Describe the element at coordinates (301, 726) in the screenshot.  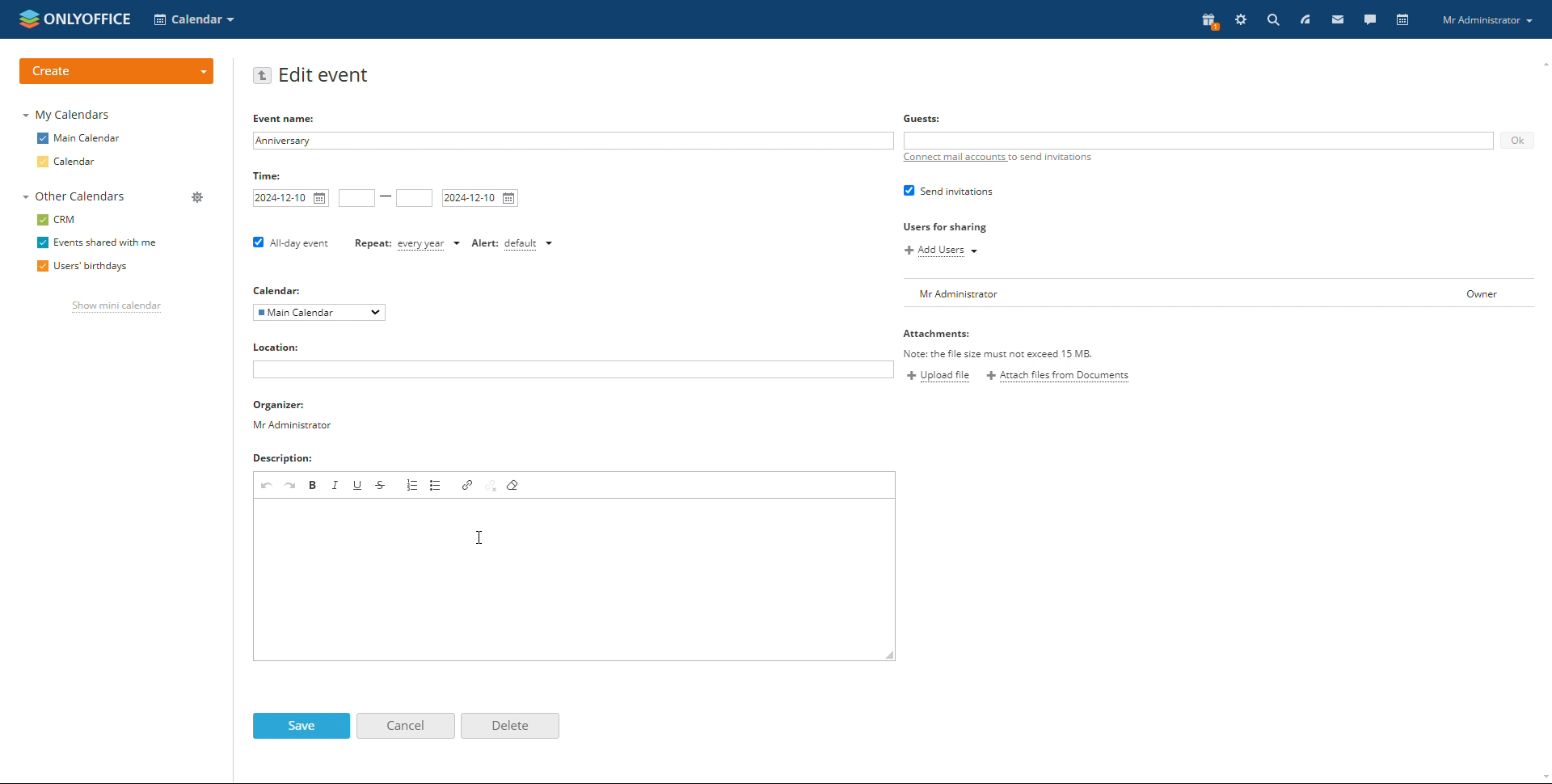
I see `save` at that location.